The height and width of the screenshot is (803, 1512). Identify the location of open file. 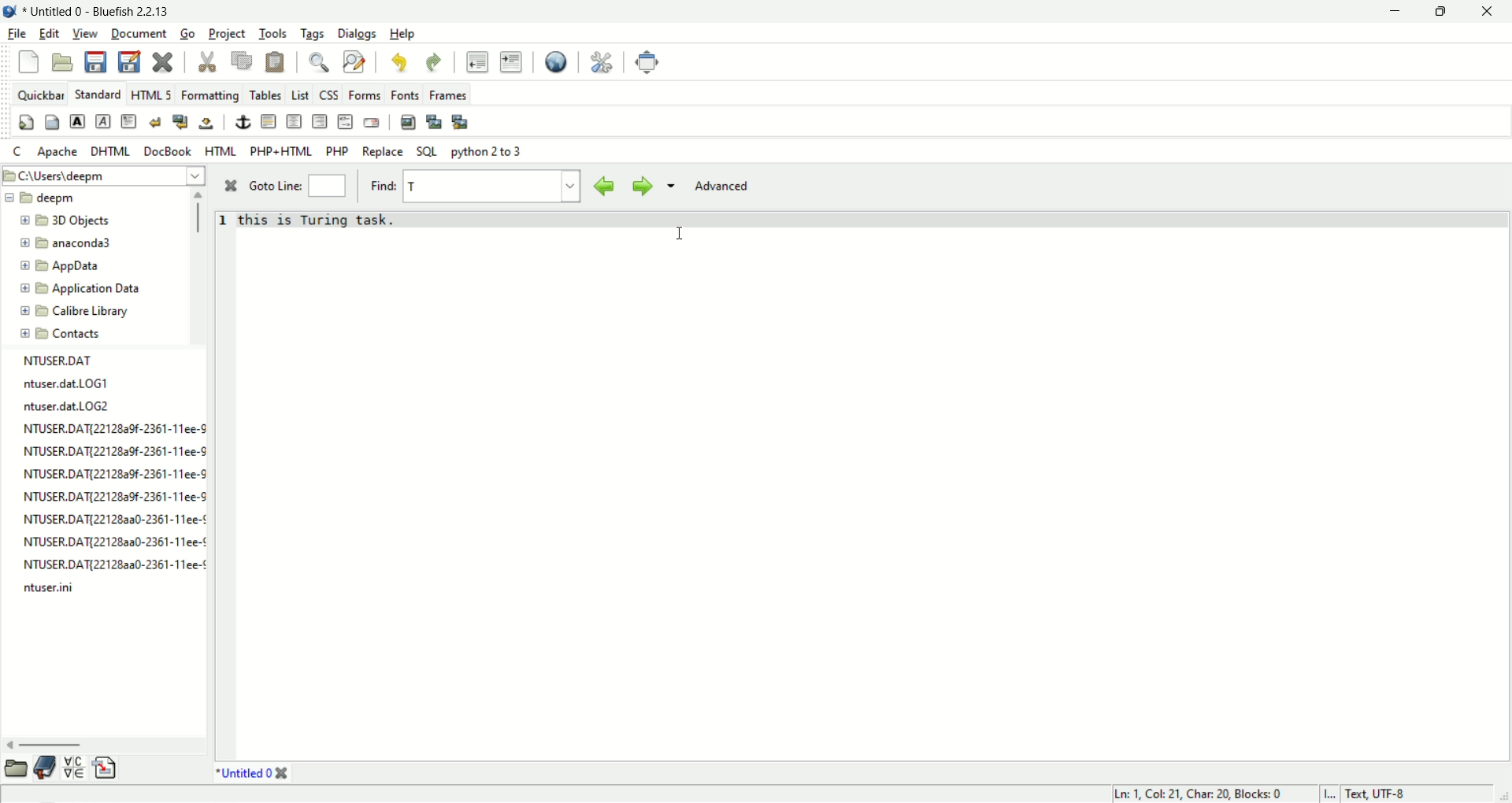
(63, 63).